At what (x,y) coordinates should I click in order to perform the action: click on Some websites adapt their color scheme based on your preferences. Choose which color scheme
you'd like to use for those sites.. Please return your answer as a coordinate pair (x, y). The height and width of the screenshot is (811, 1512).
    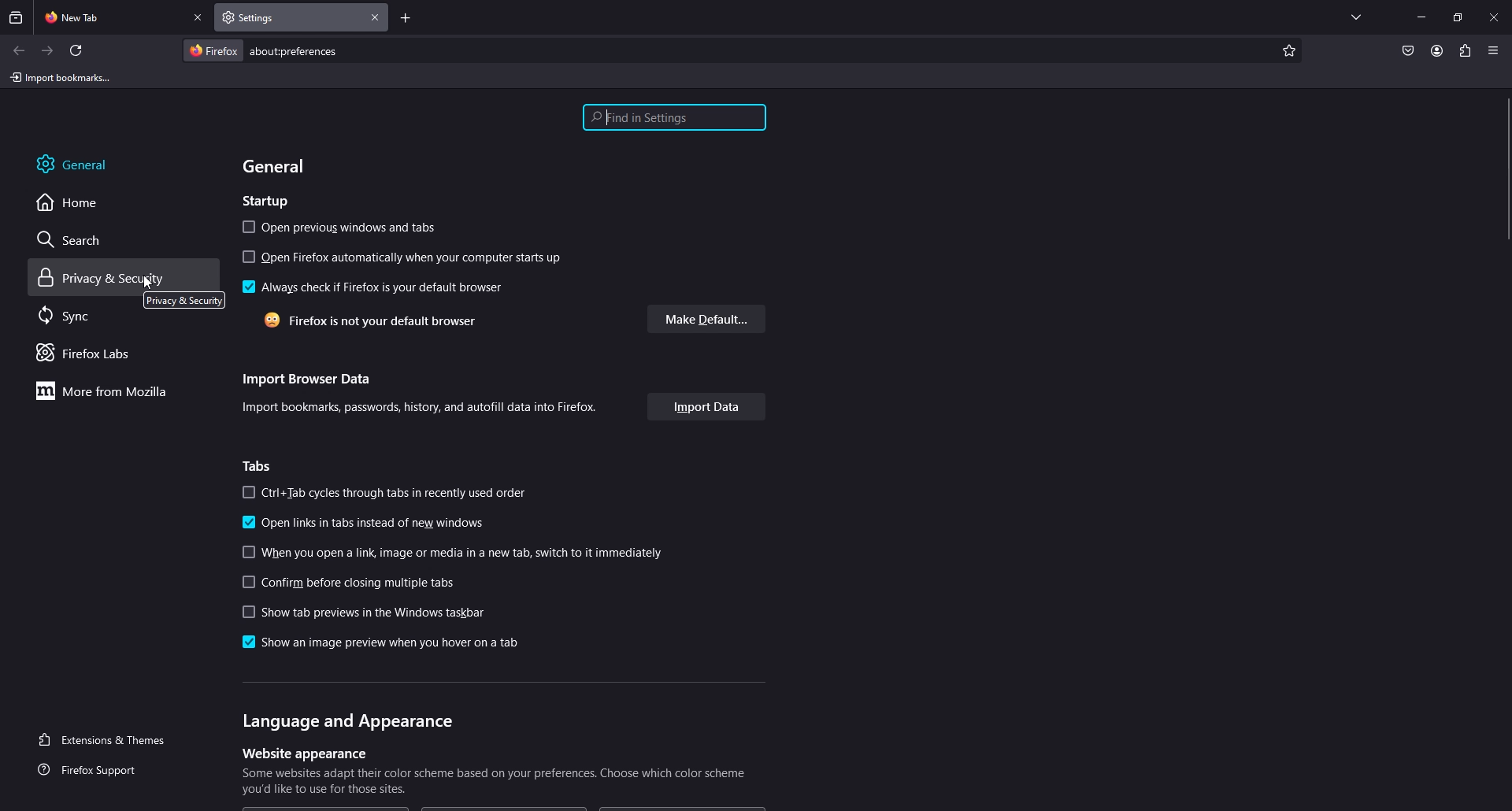
    Looking at the image, I should click on (498, 783).